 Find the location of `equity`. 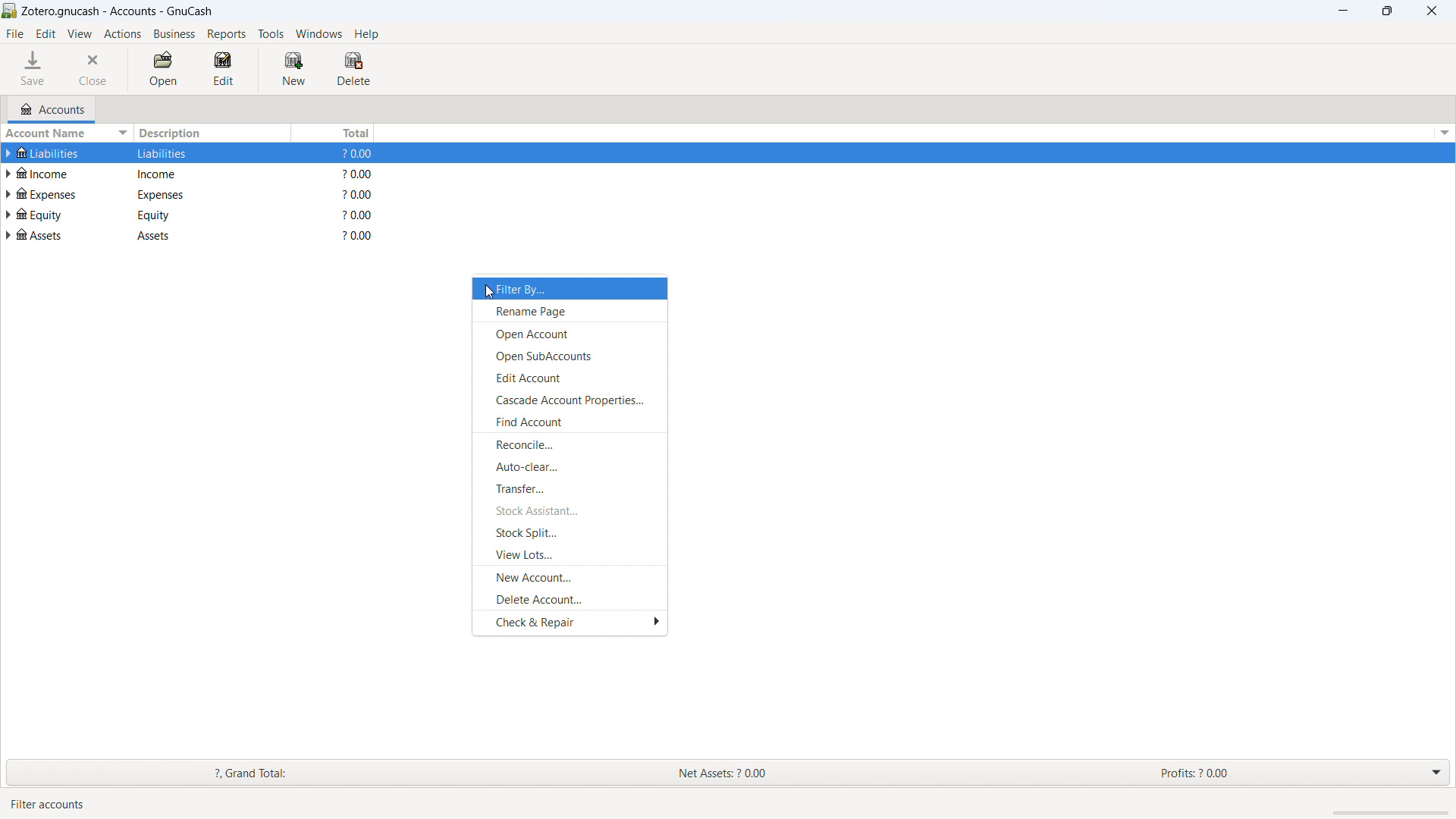

equity is located at coordinates (52, 213).